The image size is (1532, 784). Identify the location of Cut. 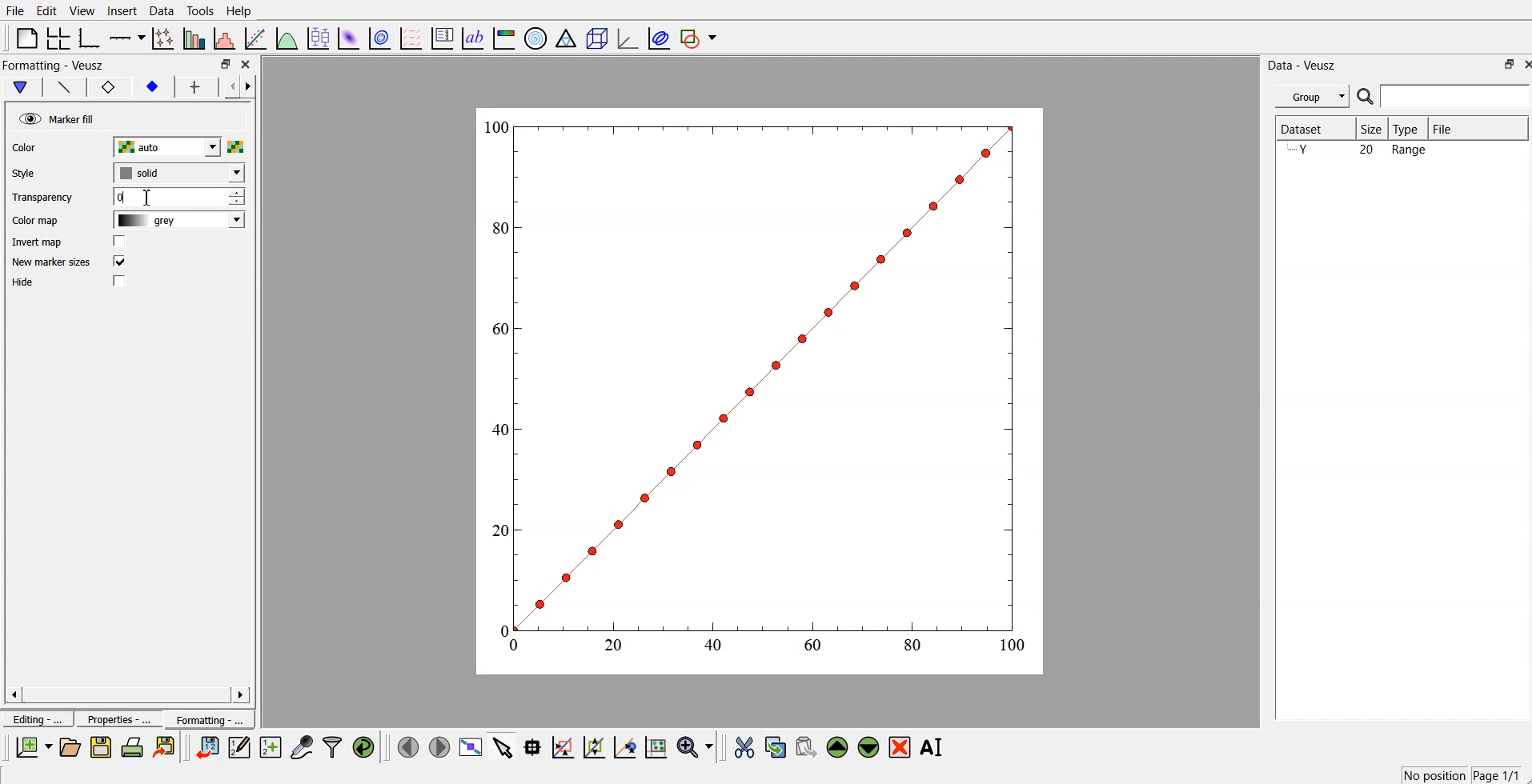
(744, 746).